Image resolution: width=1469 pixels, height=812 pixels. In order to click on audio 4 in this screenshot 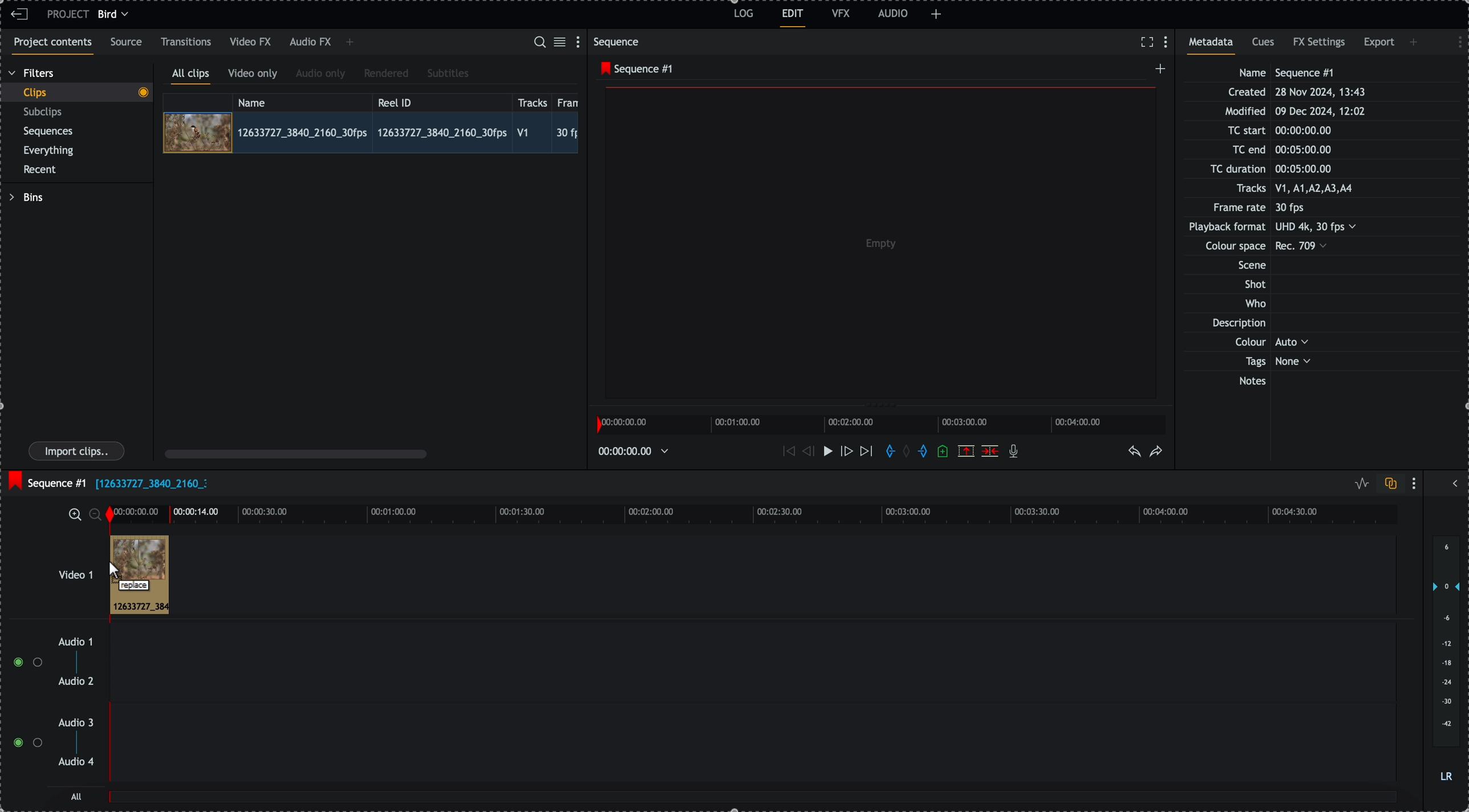, I will do `click(75, 762)`.